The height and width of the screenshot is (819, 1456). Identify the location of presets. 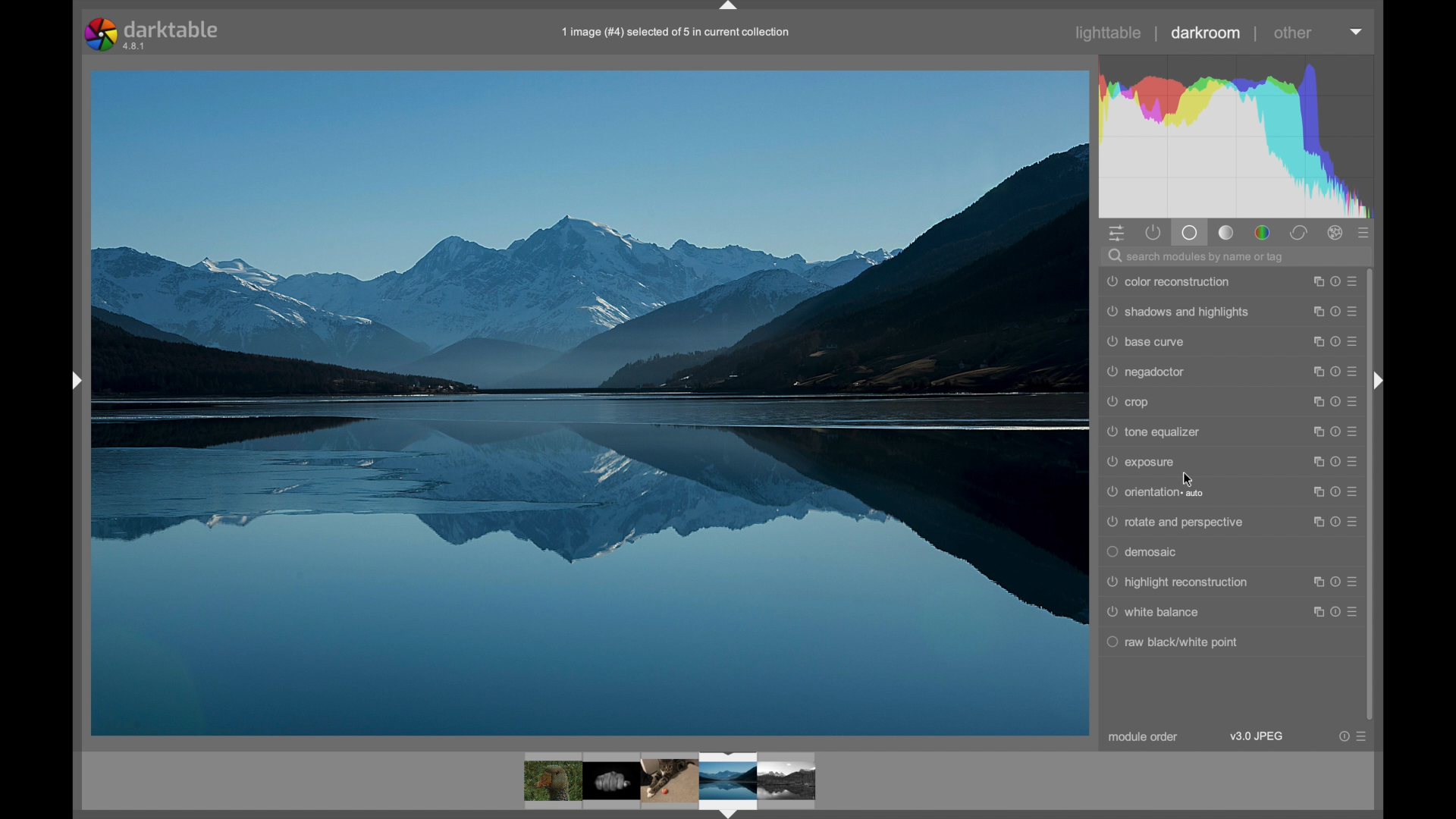
(1364, 234).